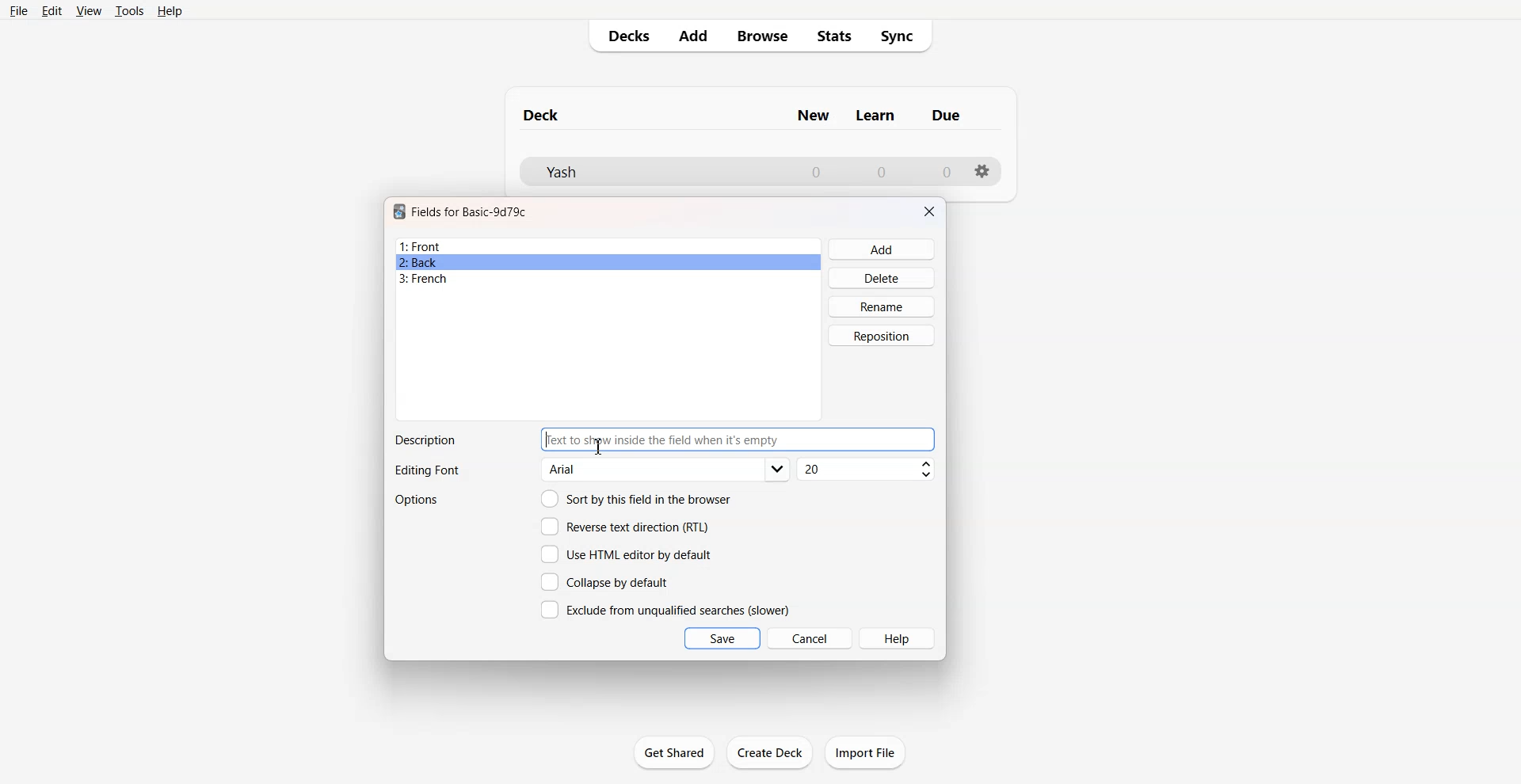 The width and height of the screenshot is (1521, 784). Describe the element at coordinates (813, 116) in the screenshot. I see `Column name` at that location.